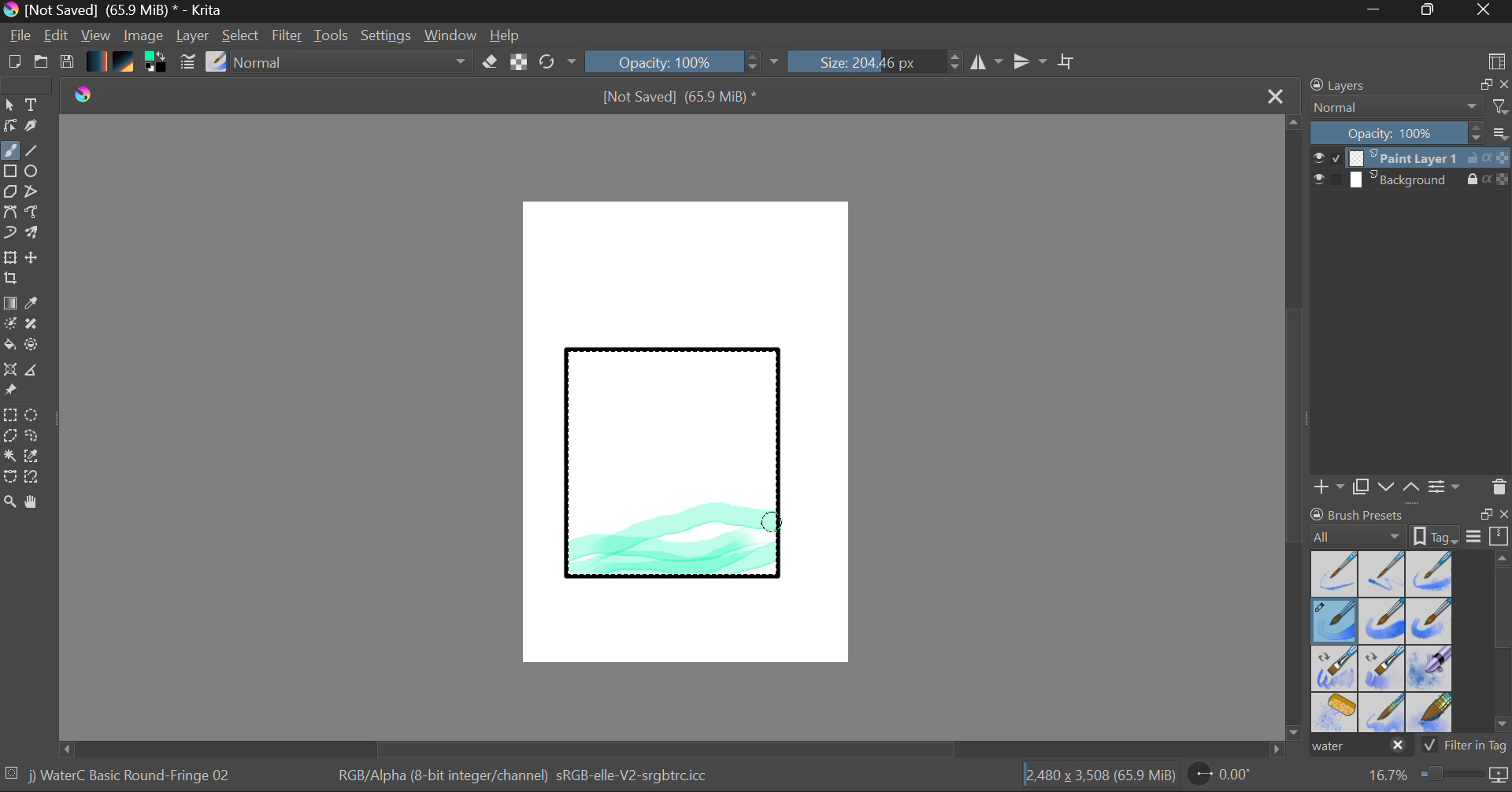 This screenshot has height=792, width=1512. I want to click on Paintbrush, so click(9, 152).